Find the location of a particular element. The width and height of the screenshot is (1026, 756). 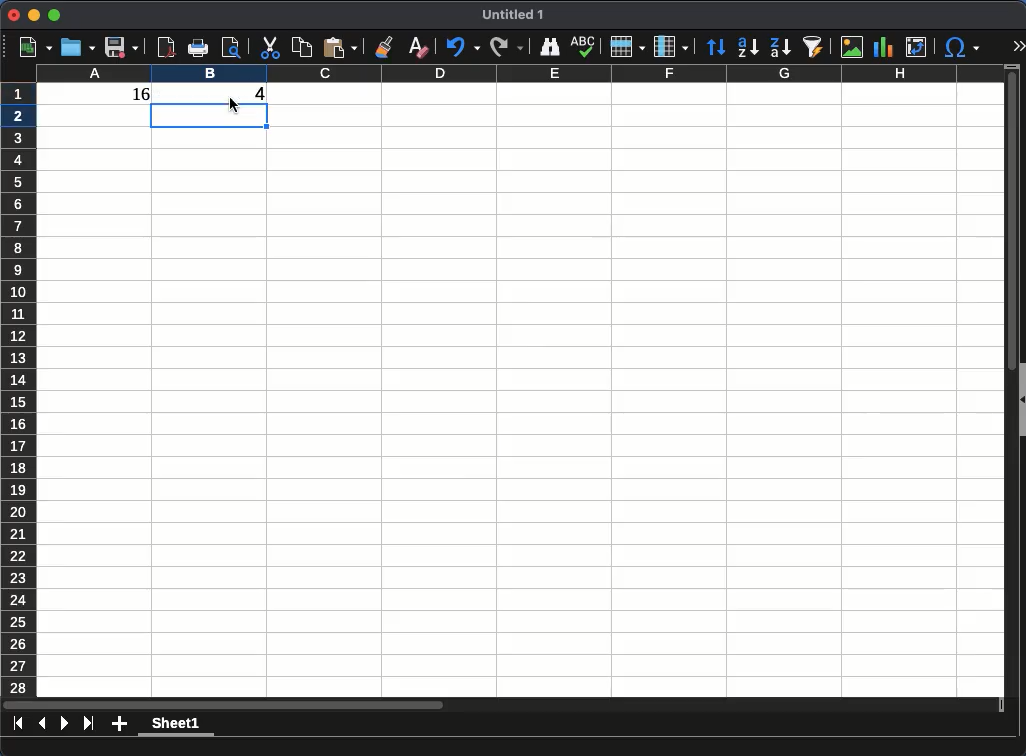

first sheet is located at coordinates (19, 723).